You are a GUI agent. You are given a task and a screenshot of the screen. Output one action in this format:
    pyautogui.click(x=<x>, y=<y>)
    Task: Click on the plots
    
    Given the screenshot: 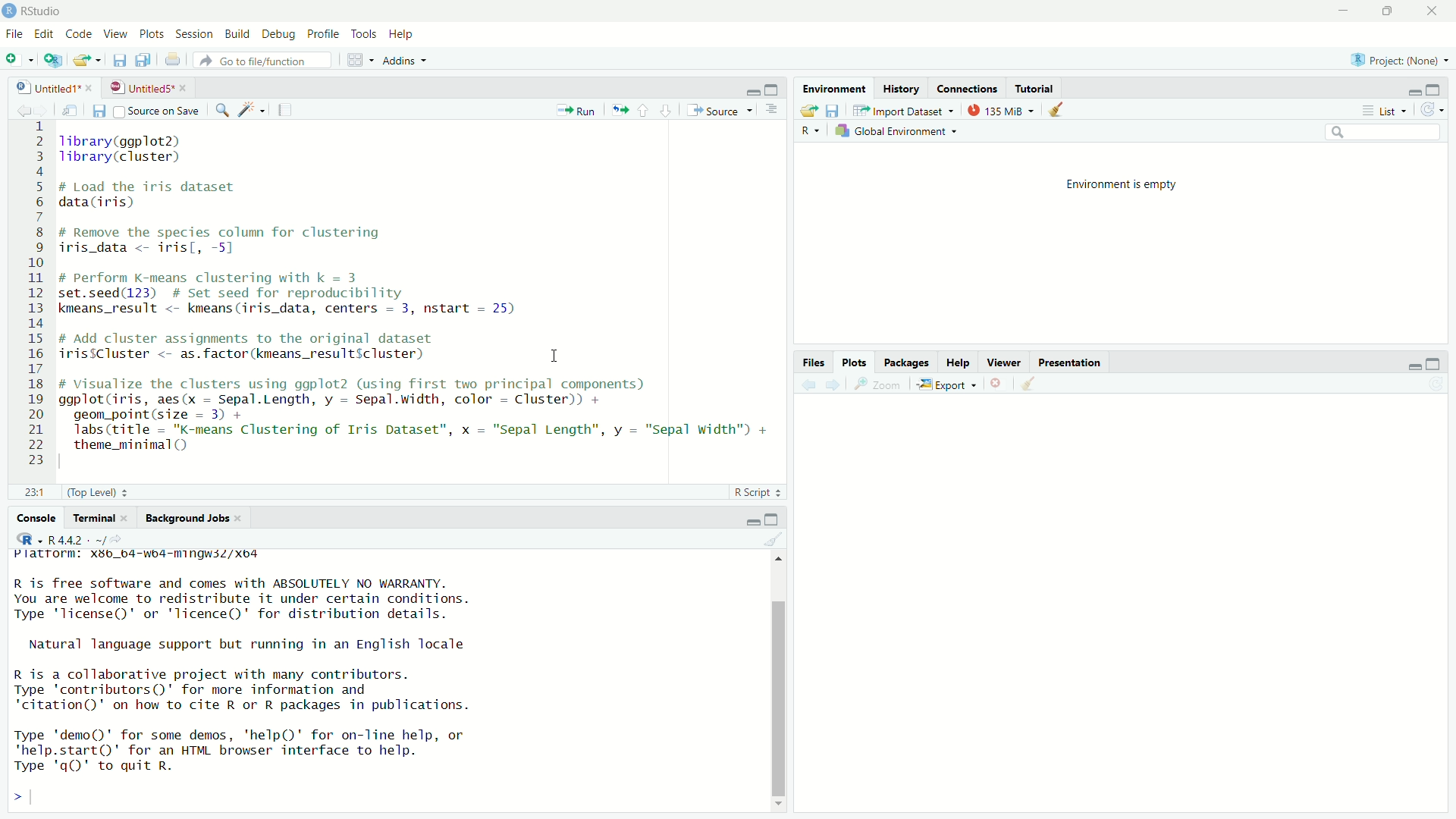 What is the action you would take?
    pyautogui.click(x=150, y=32)
    